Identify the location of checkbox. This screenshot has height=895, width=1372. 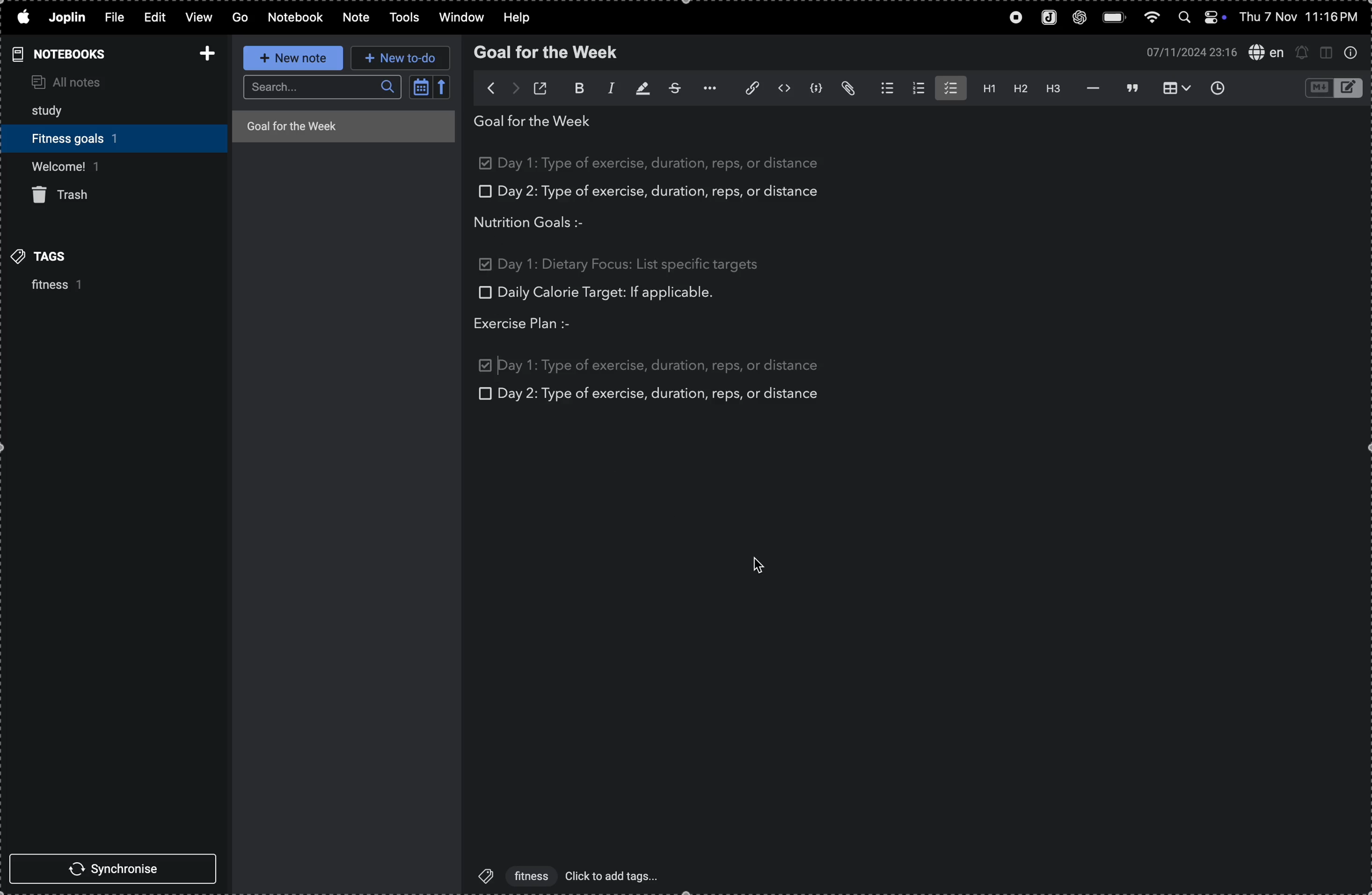
(487, 365).